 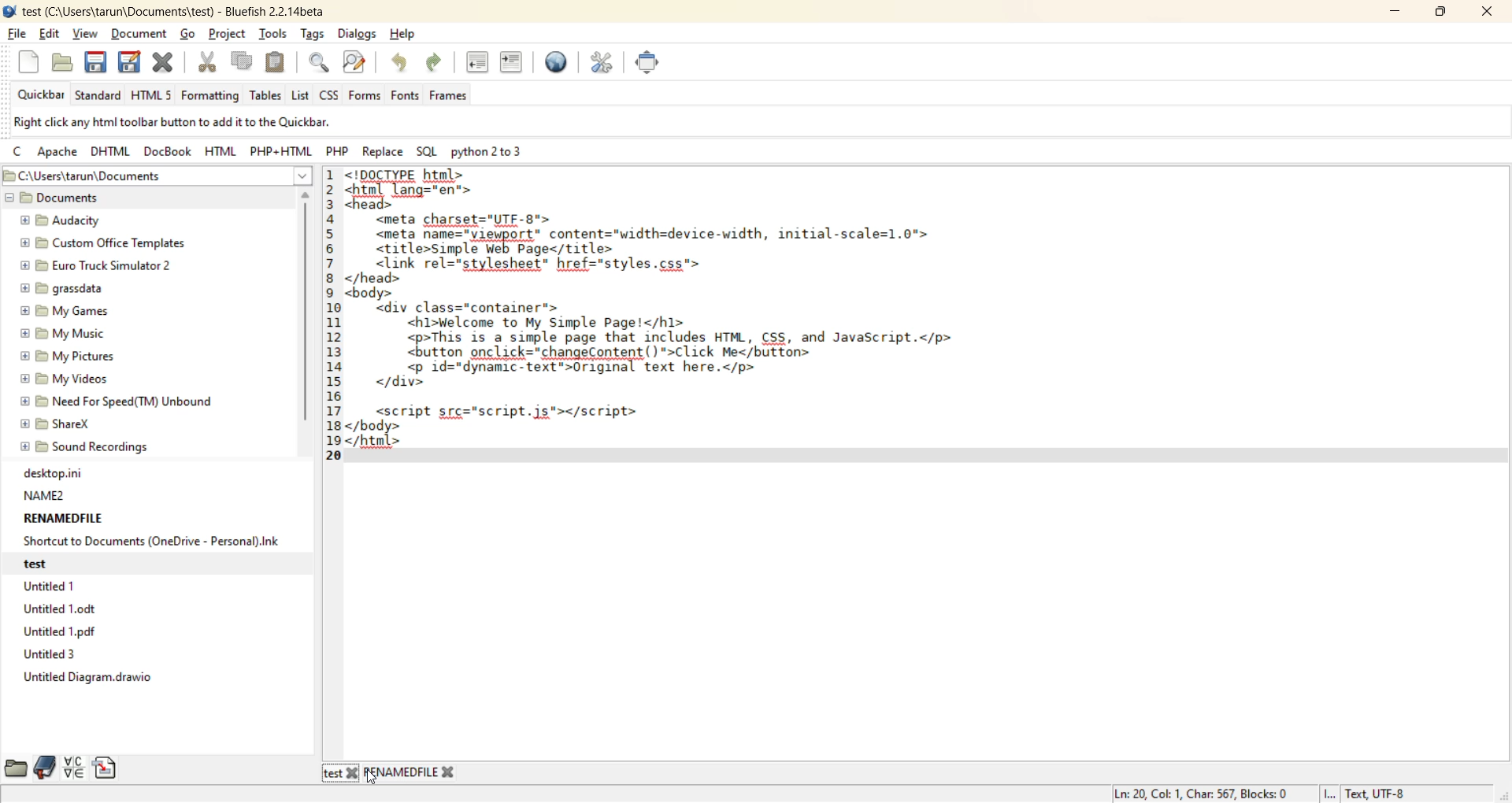 What do you see at coordinates (210, 123) in the screenshot?
I see `metadata` at bounding box center [210, 123].